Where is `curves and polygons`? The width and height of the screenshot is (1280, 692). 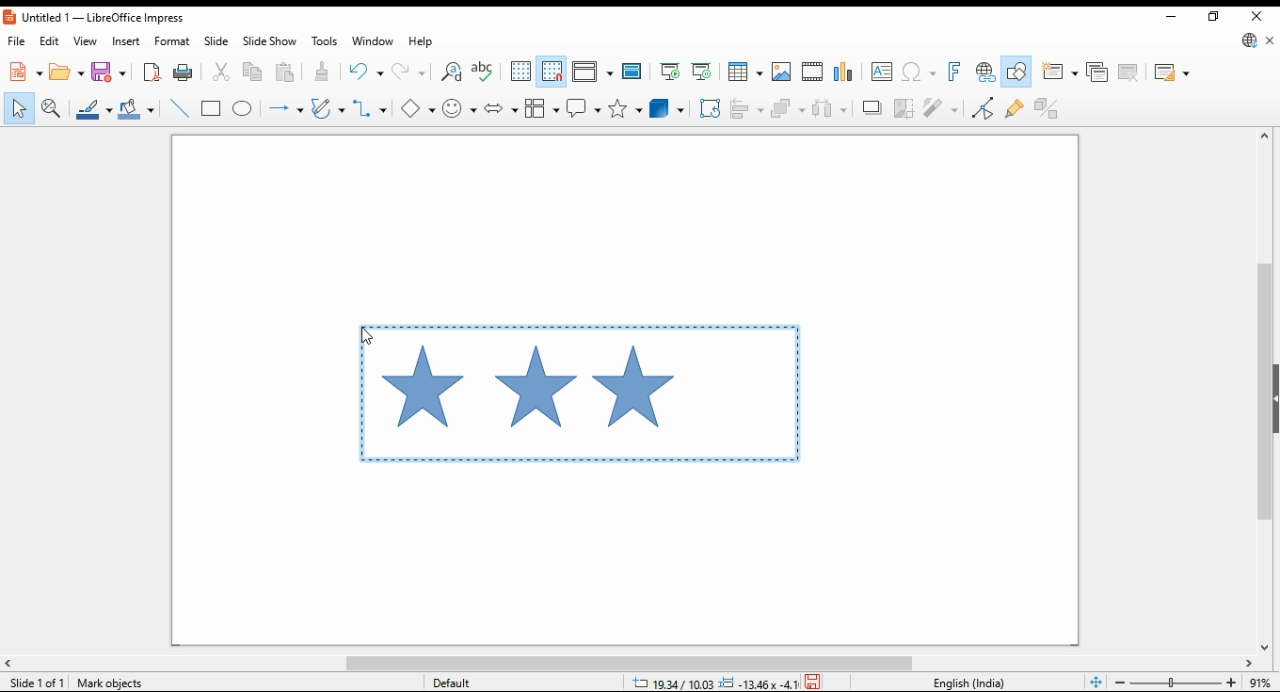
curves and polygons is located at coordinates (328, 107).